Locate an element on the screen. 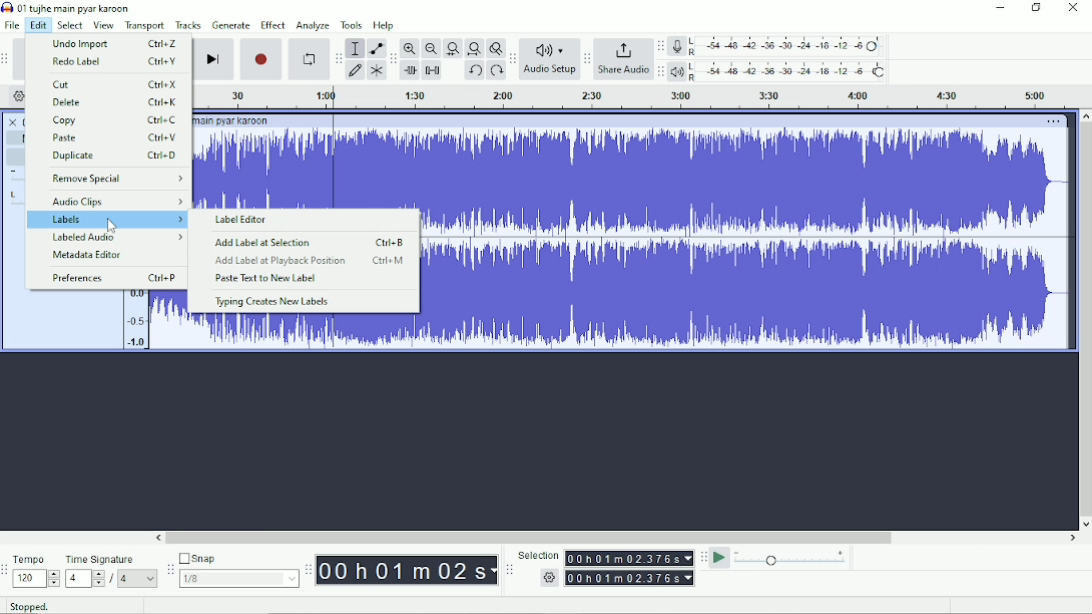  Silence audio selection is located at coordinates (434, 71).